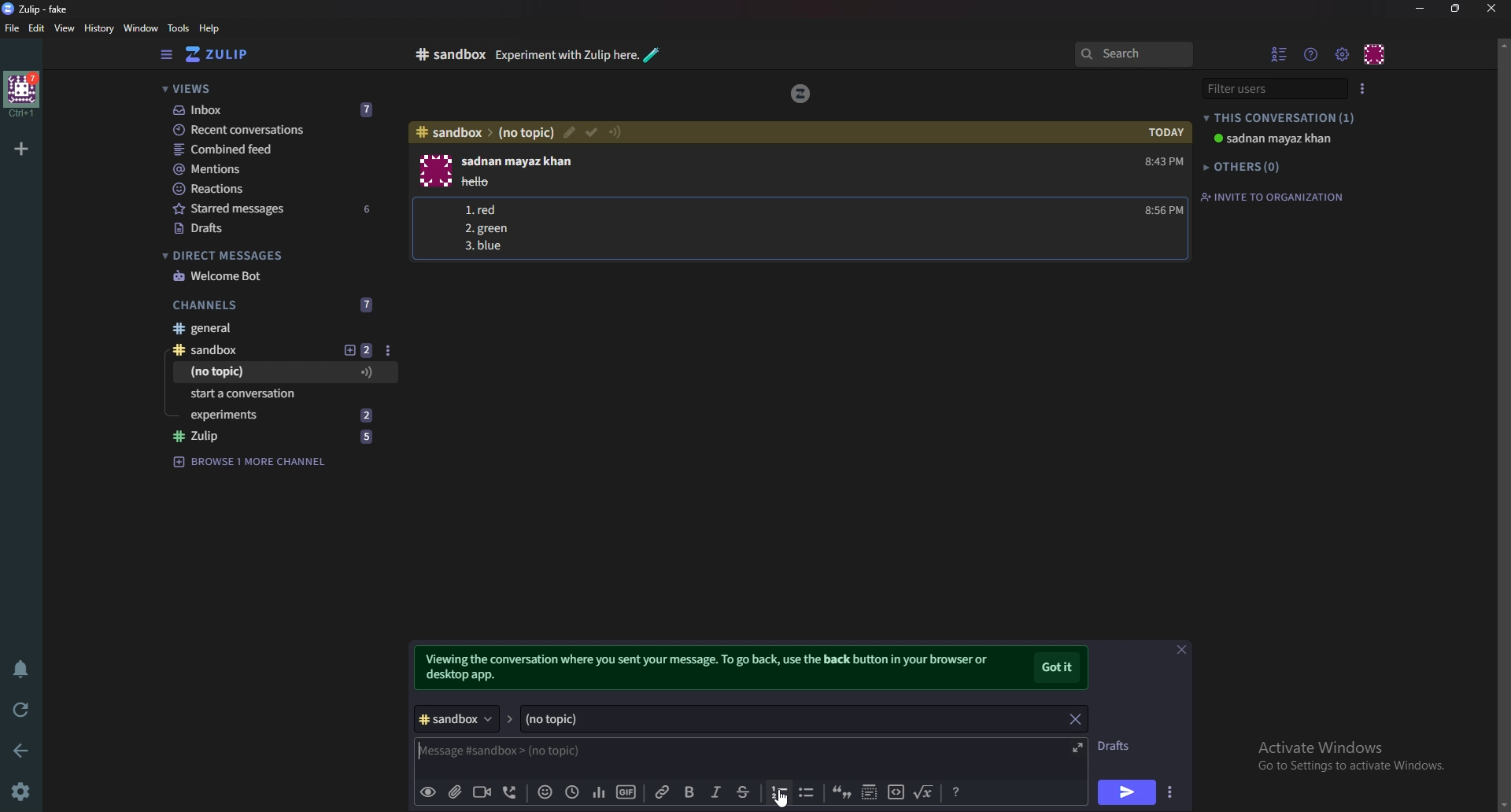 The width and height of the screenshot is (1511, 812). What do you see at coordinates (272, 275) in the screenshot?
I see `welcome bot` at bounding box center [272, 275].